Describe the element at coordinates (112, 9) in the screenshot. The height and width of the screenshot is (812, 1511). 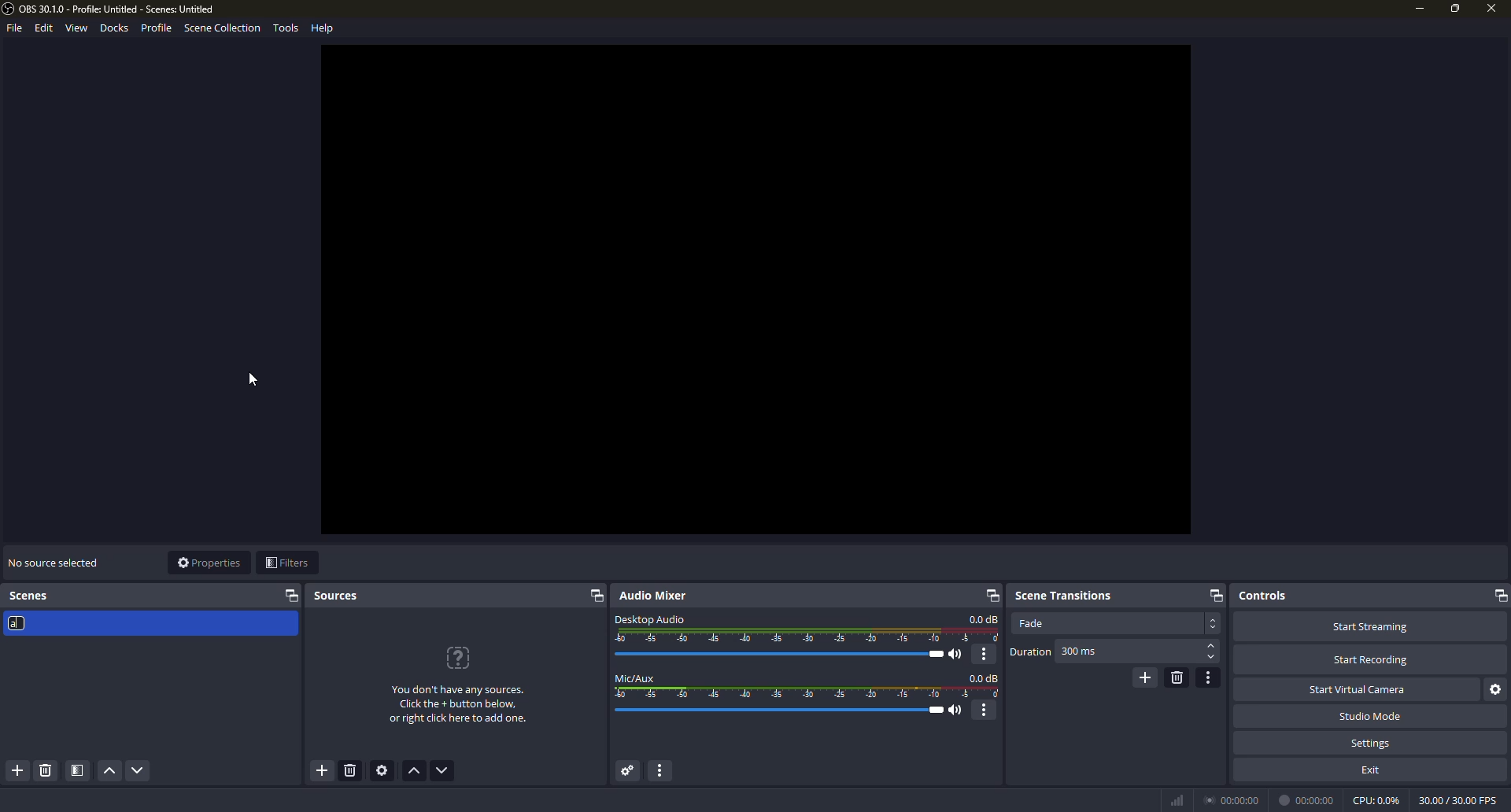
I see `obs profile` at that location.